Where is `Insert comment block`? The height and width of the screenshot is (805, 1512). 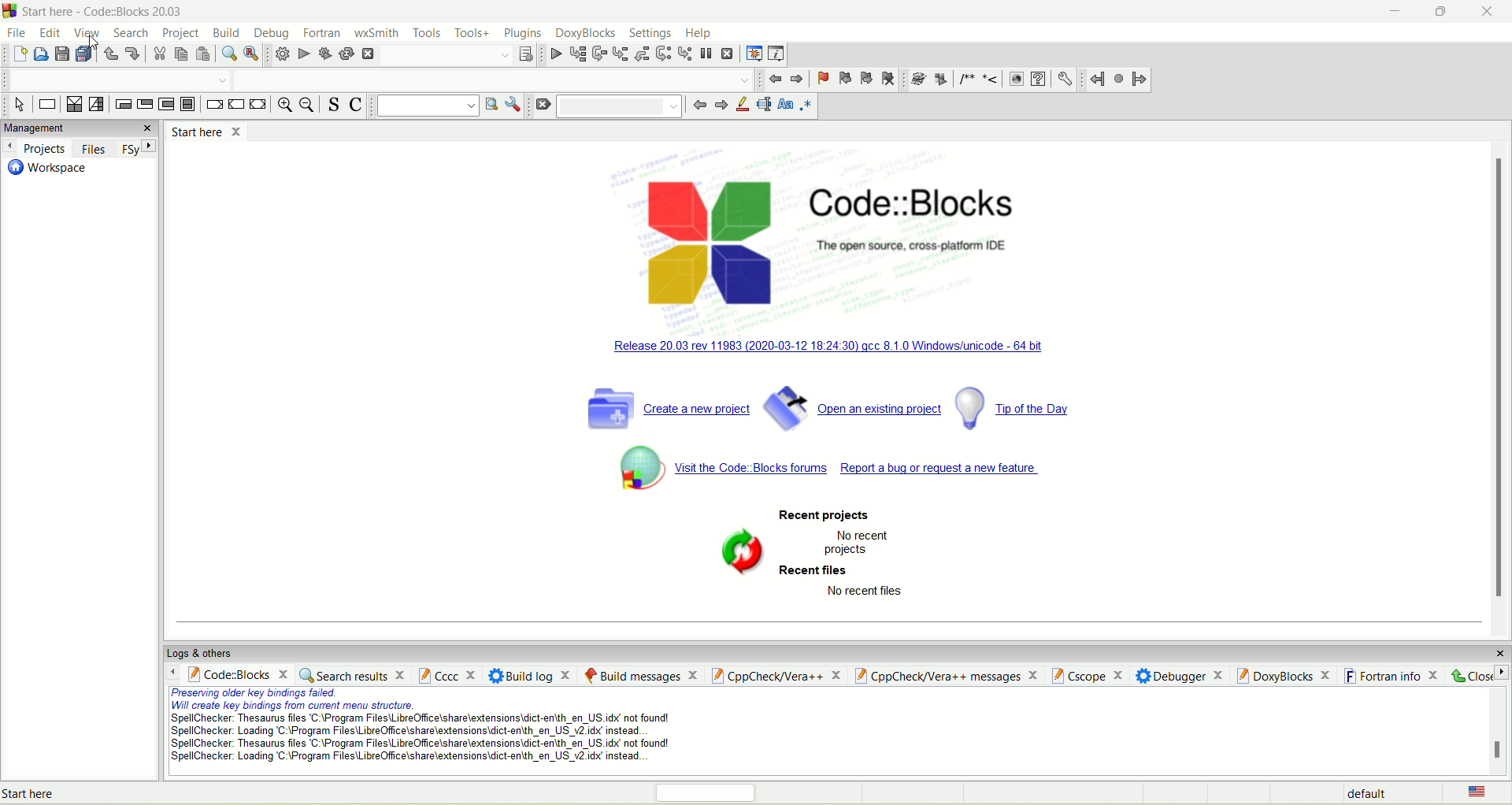
Insert comment block is located at coordinates (964, 79).